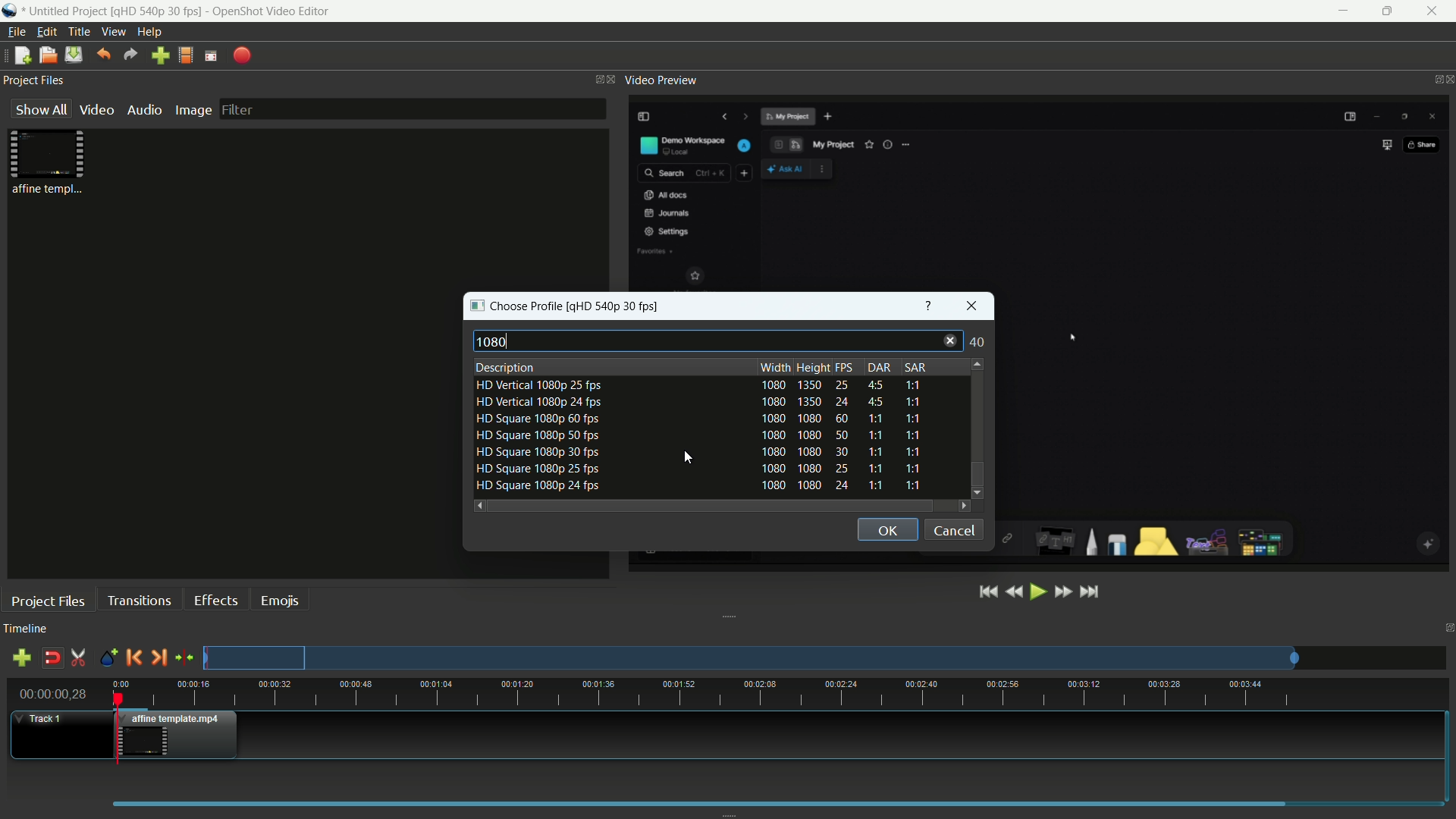 This screenshot has height=819, width=1456. Describe the element at coordinates (102, 55) in the screenshot. I see `undo` at that location.